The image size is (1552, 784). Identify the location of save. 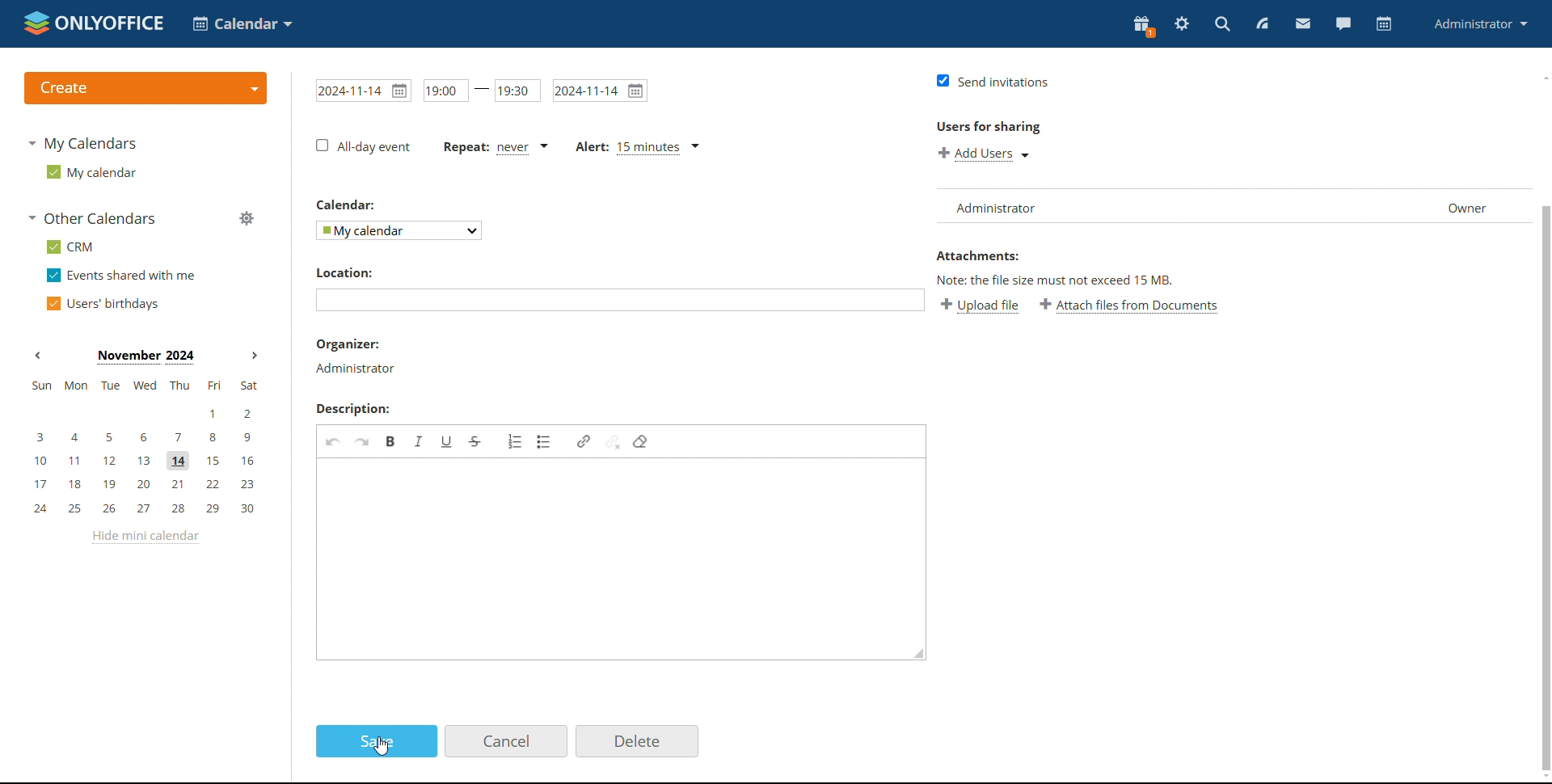
(377, 741).